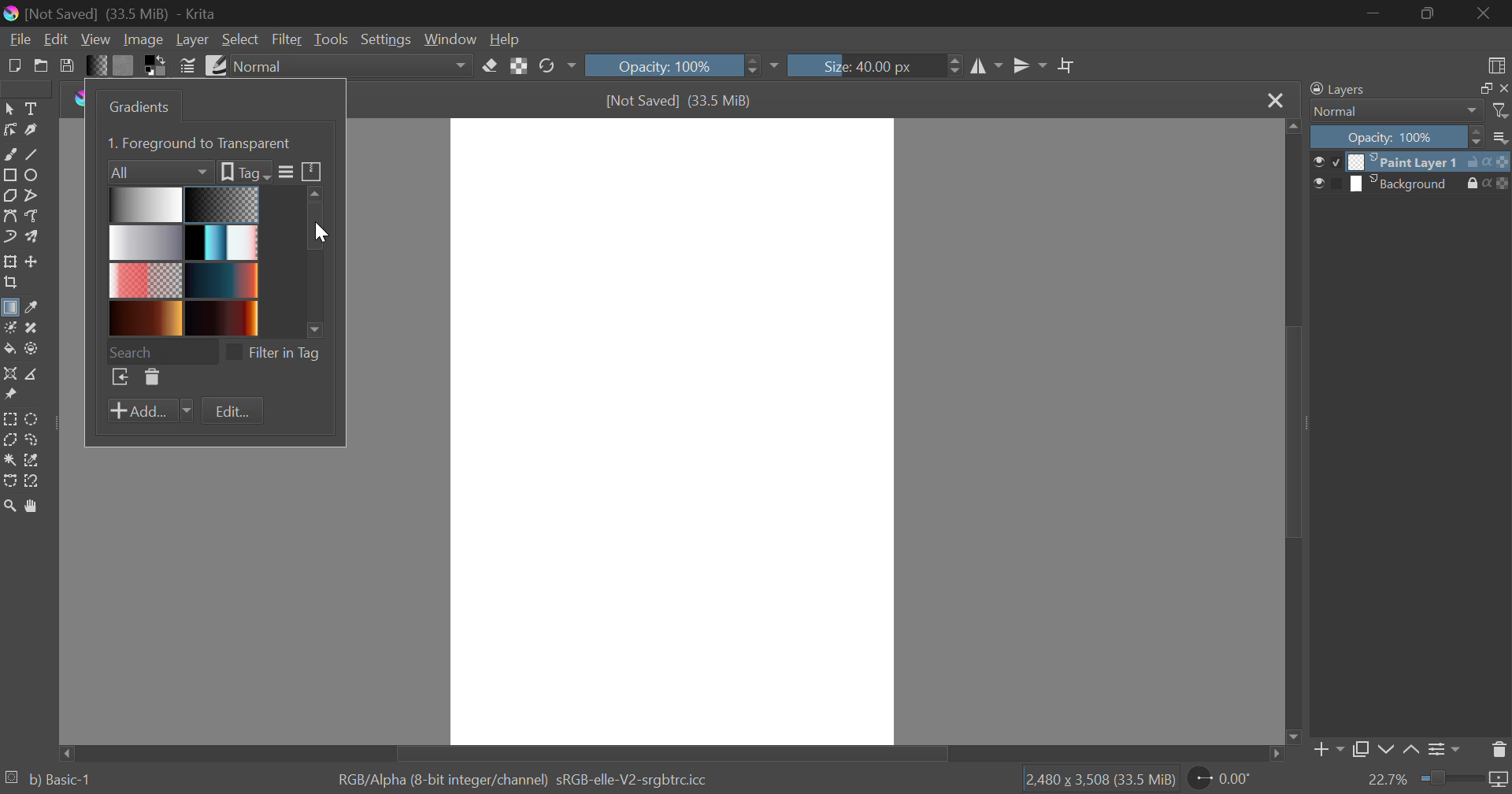 This screenshot has width=1512, height=794. I want to click on Pattern, so click(124, 65).